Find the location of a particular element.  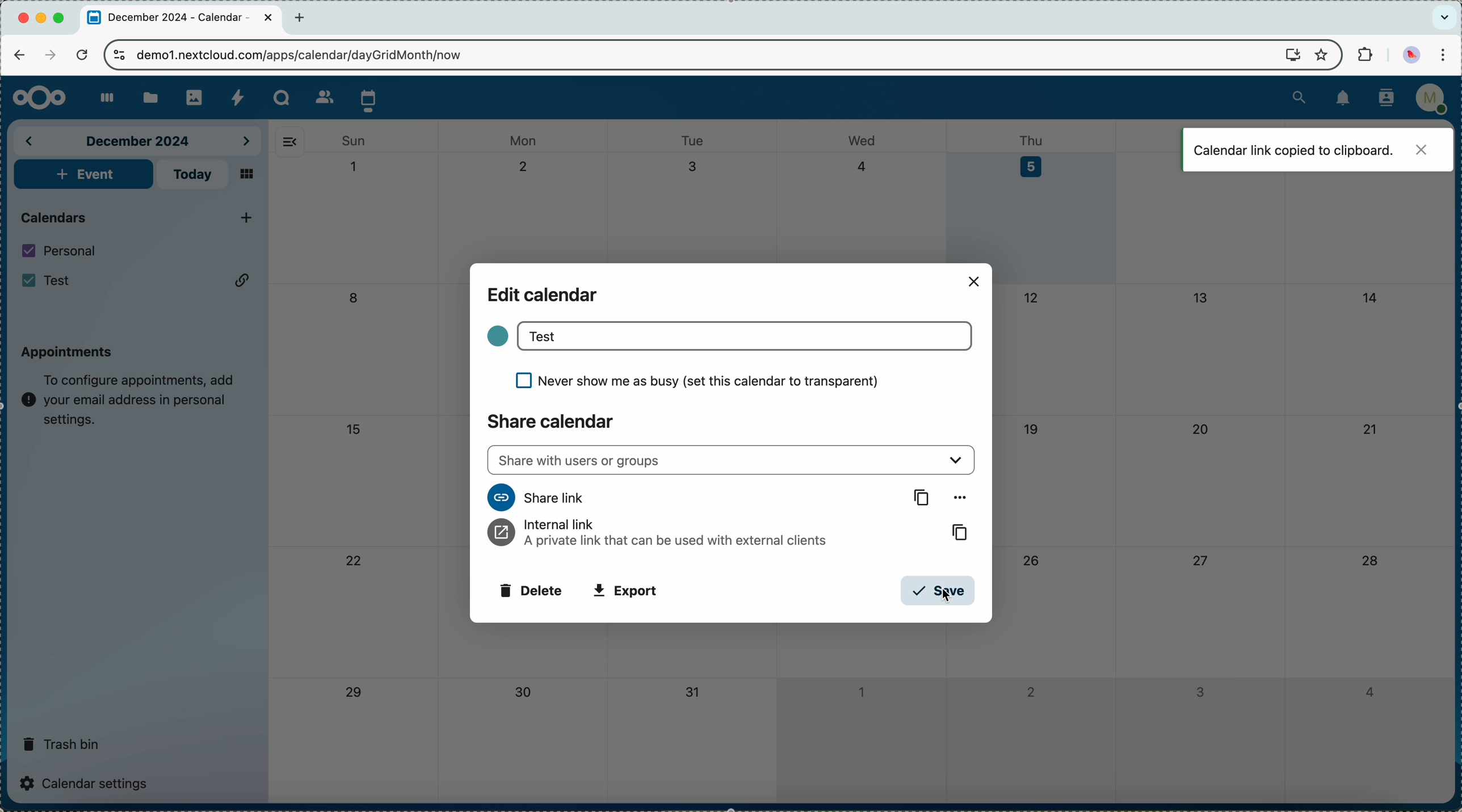

december 2024 is located at coordinates (140, 140).